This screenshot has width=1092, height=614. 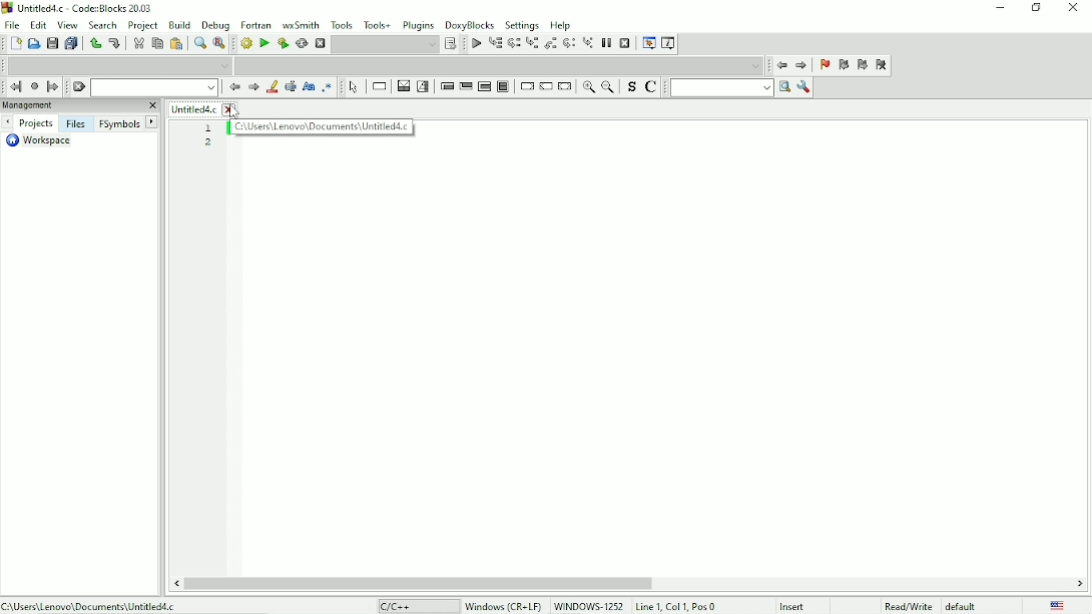 I want to click on Show options window, so click(x=804, y=87).